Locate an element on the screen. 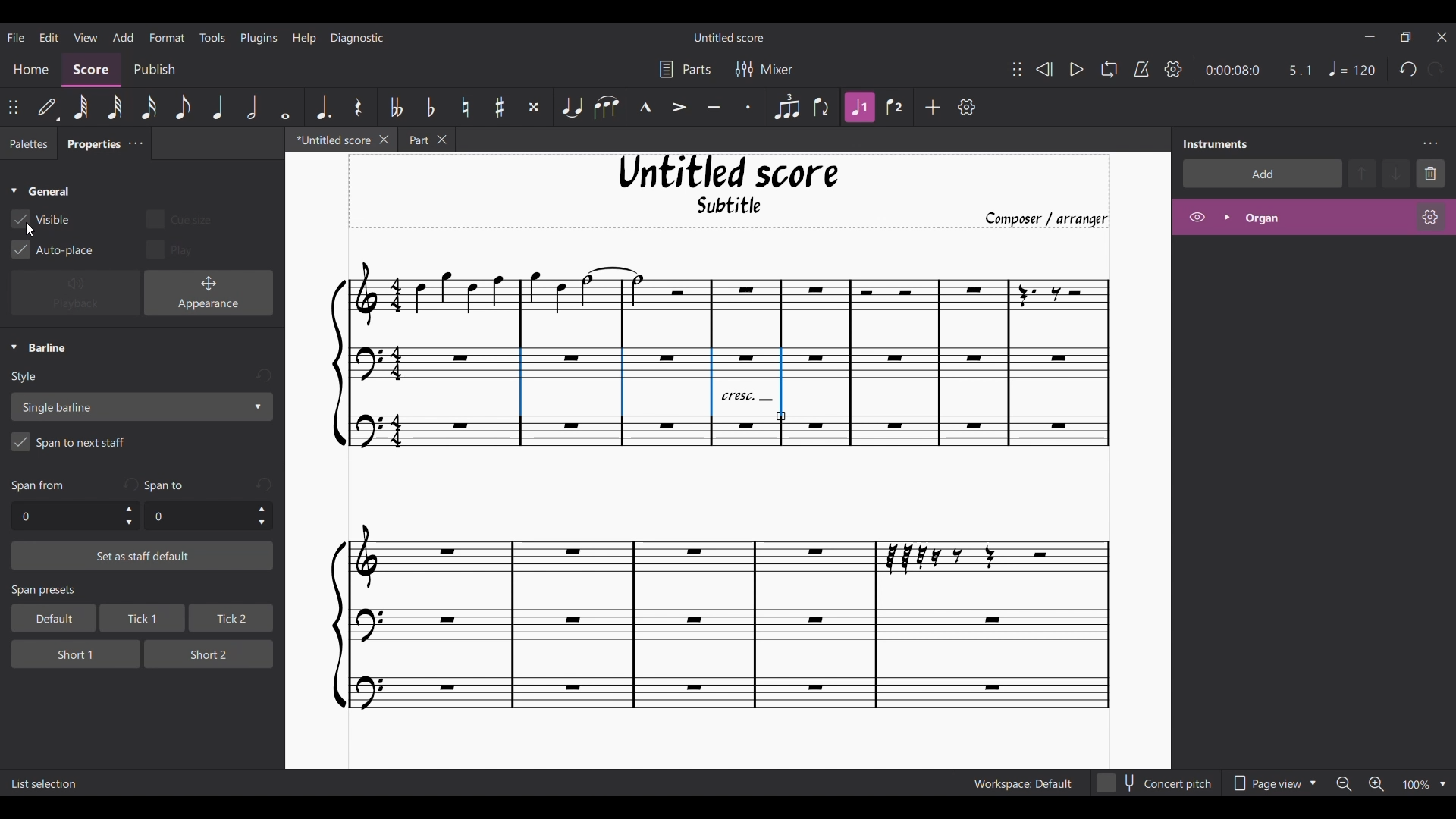 This screenshot has height=819, width=1456. Current zoom factor is located at coordinates (1415, 786).